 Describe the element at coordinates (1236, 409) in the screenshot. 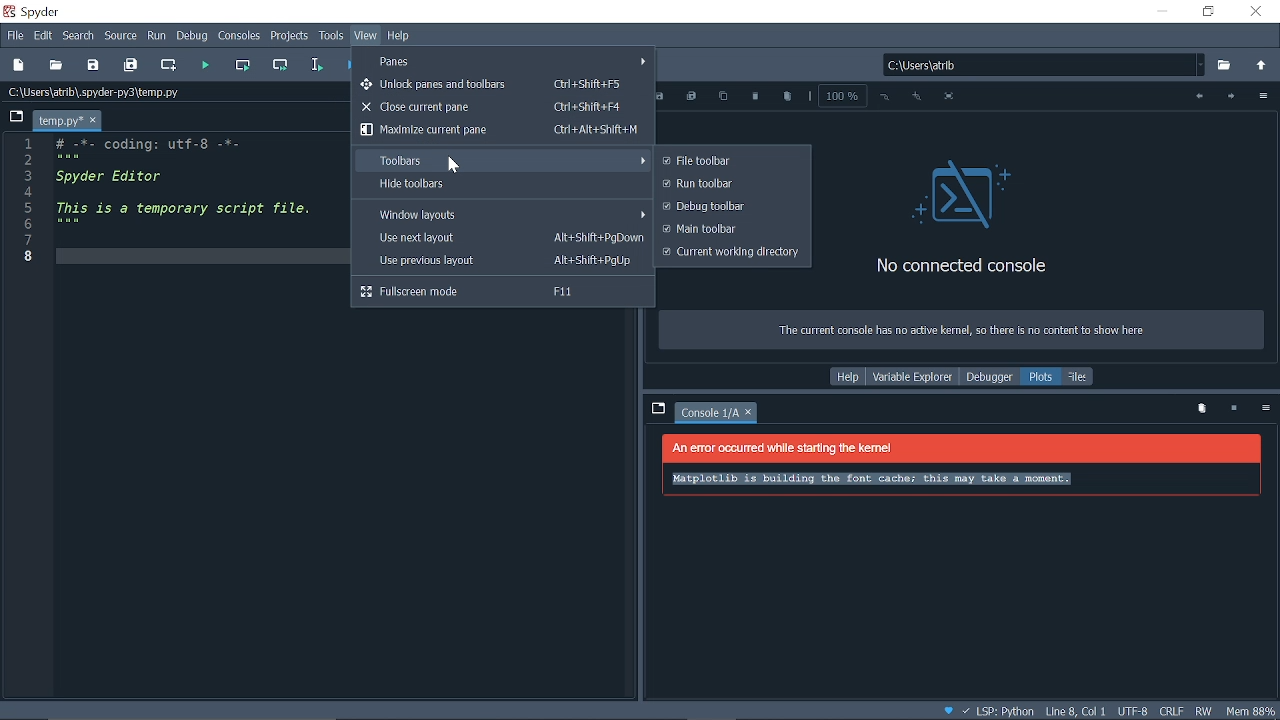

I see `Input kernel` at that location.